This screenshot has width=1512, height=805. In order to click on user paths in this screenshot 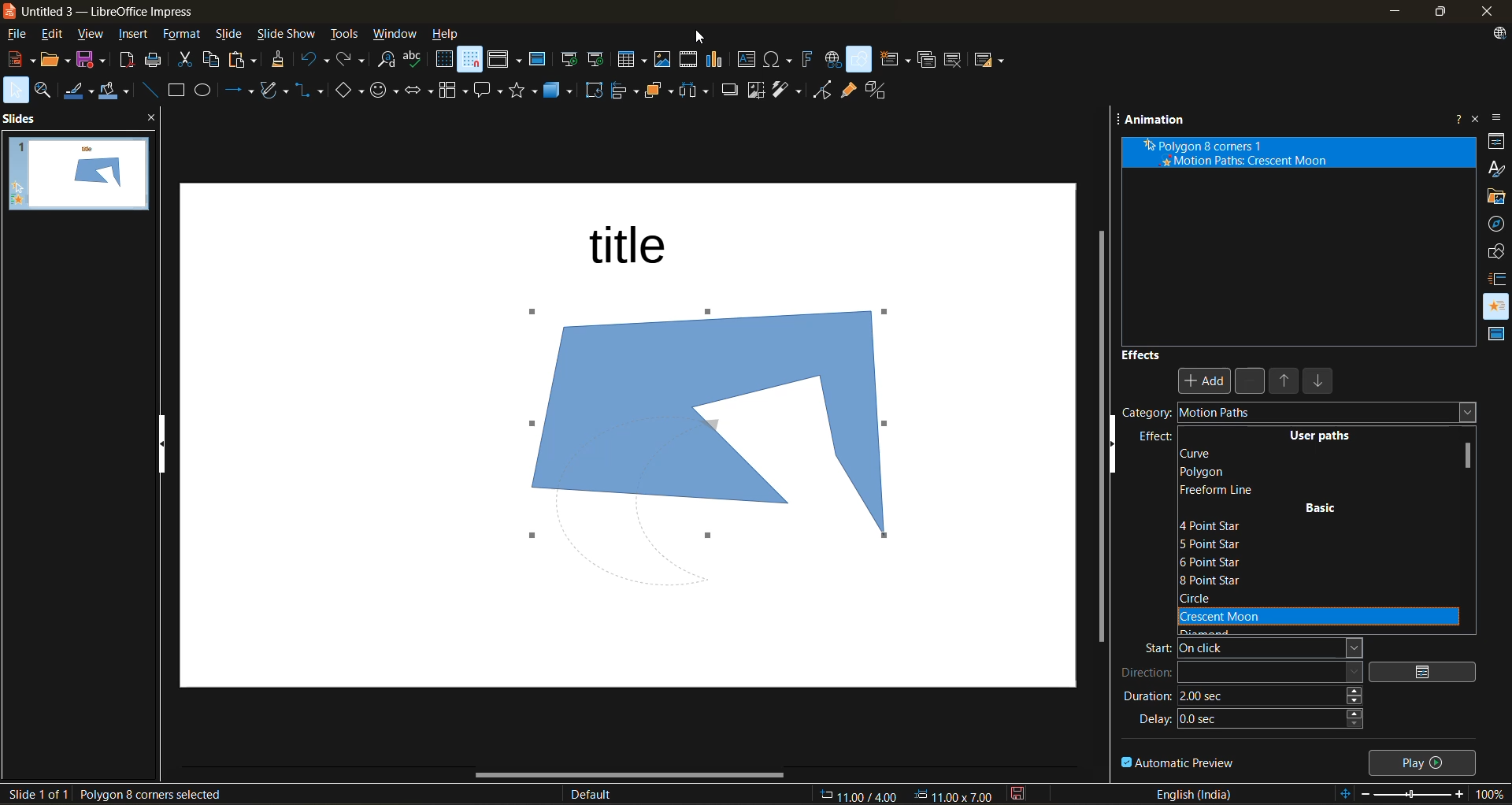, I will do `click(1319, 436)`.